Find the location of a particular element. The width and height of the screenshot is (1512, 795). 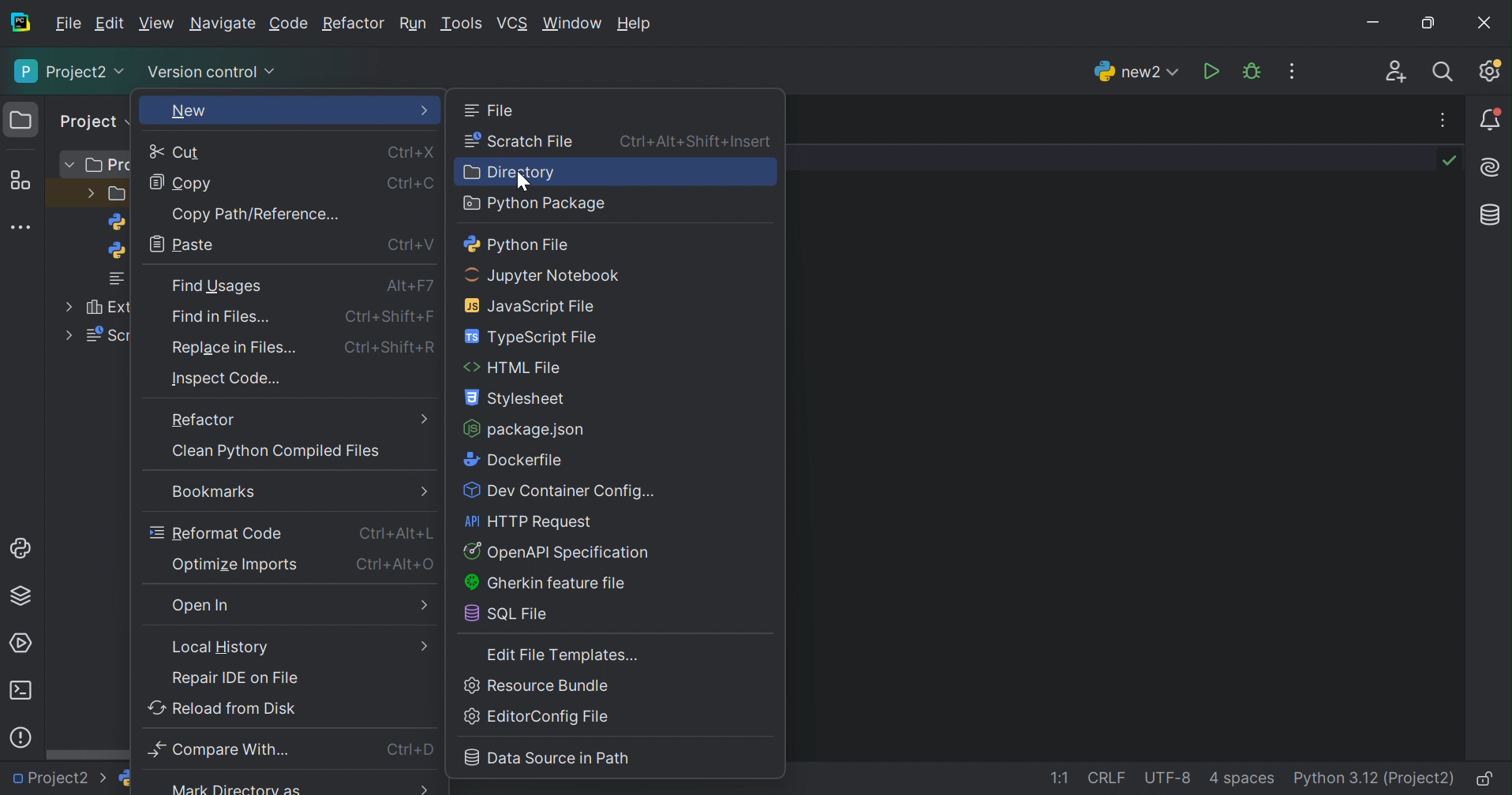

More actions is located at coordinates (1294, 70).